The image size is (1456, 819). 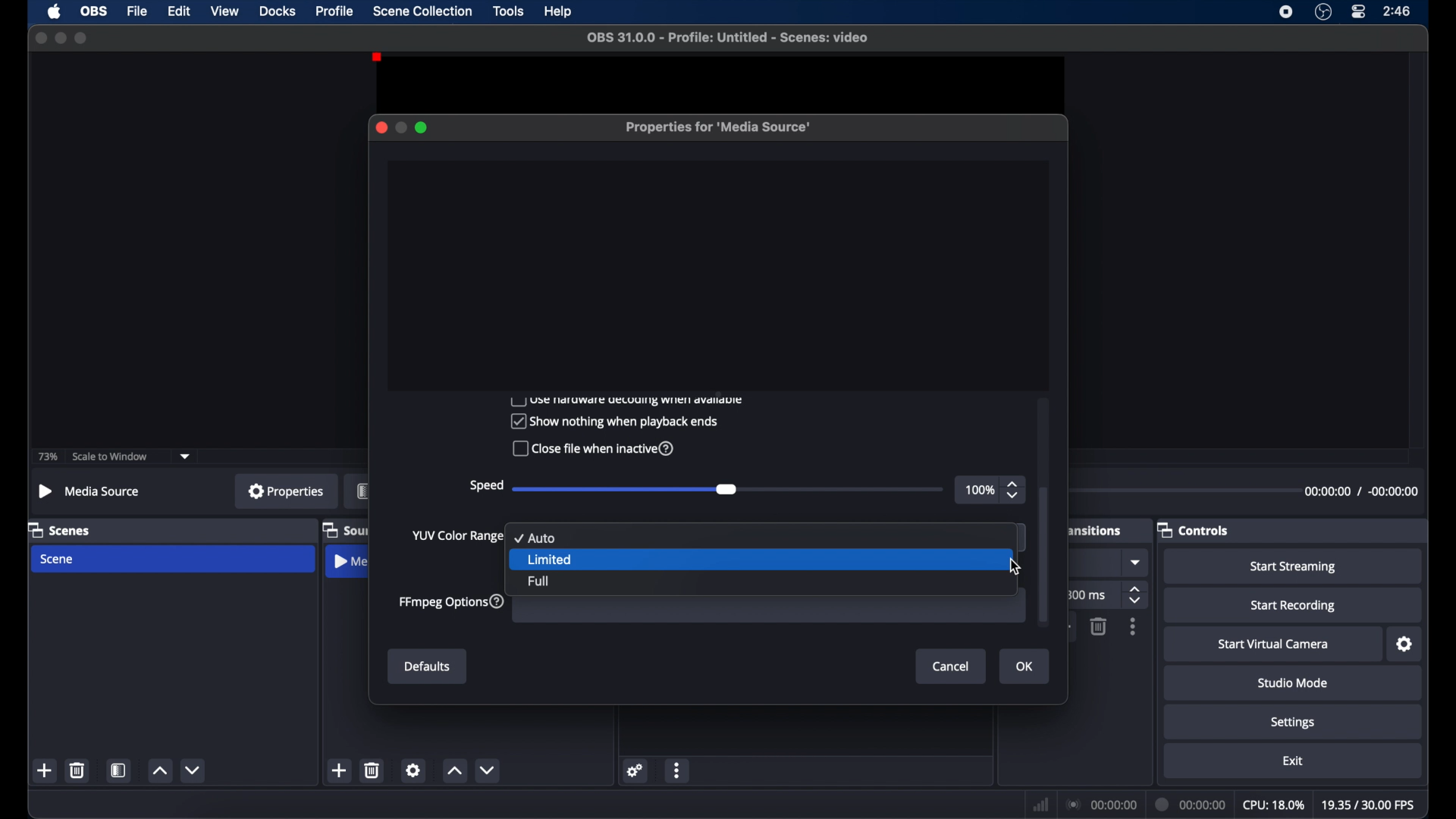 I want to click on file, so click(x=138, y=11).